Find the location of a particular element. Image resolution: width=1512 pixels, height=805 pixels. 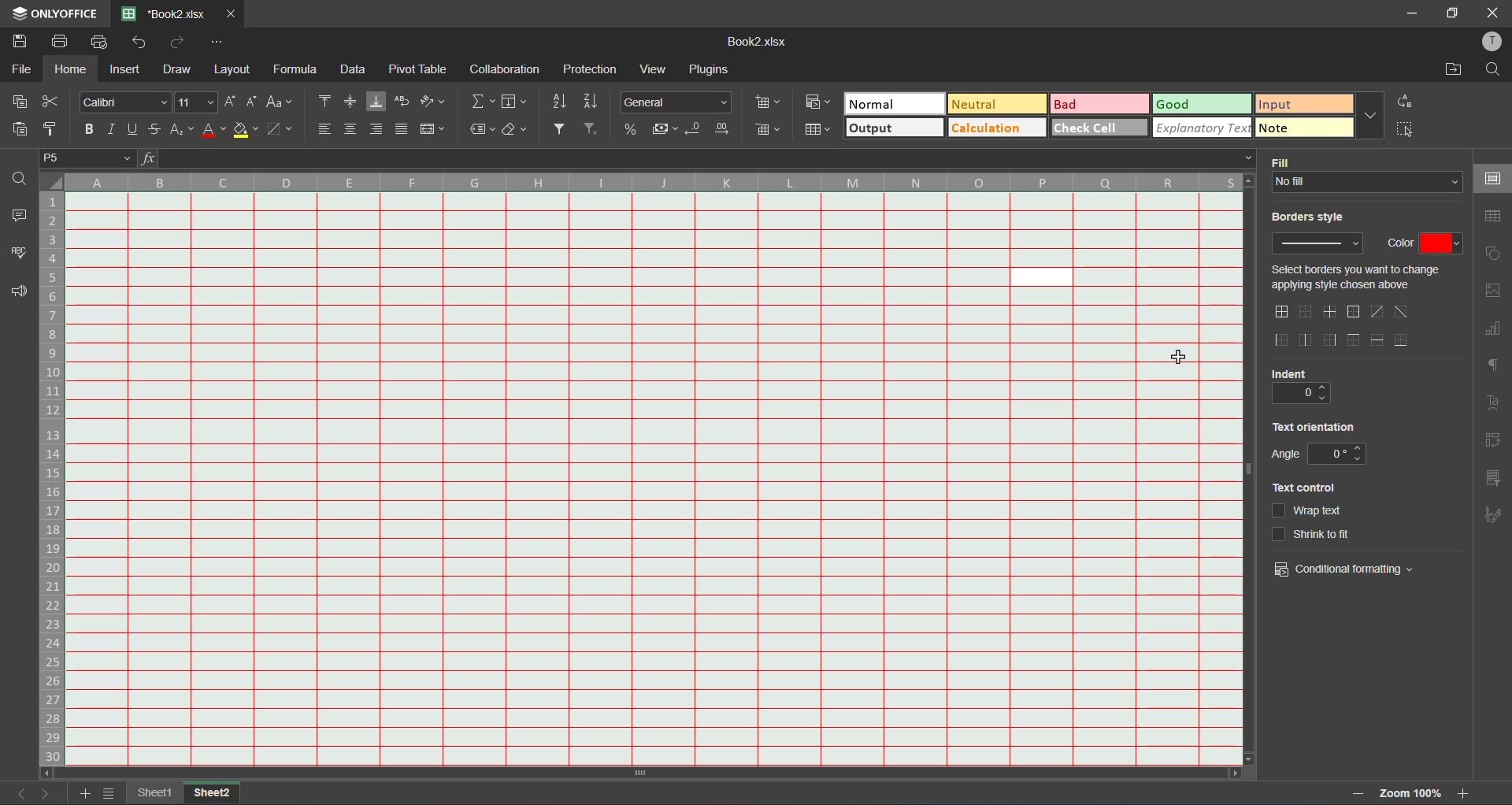

0 is located at coordinates (1300, 393).